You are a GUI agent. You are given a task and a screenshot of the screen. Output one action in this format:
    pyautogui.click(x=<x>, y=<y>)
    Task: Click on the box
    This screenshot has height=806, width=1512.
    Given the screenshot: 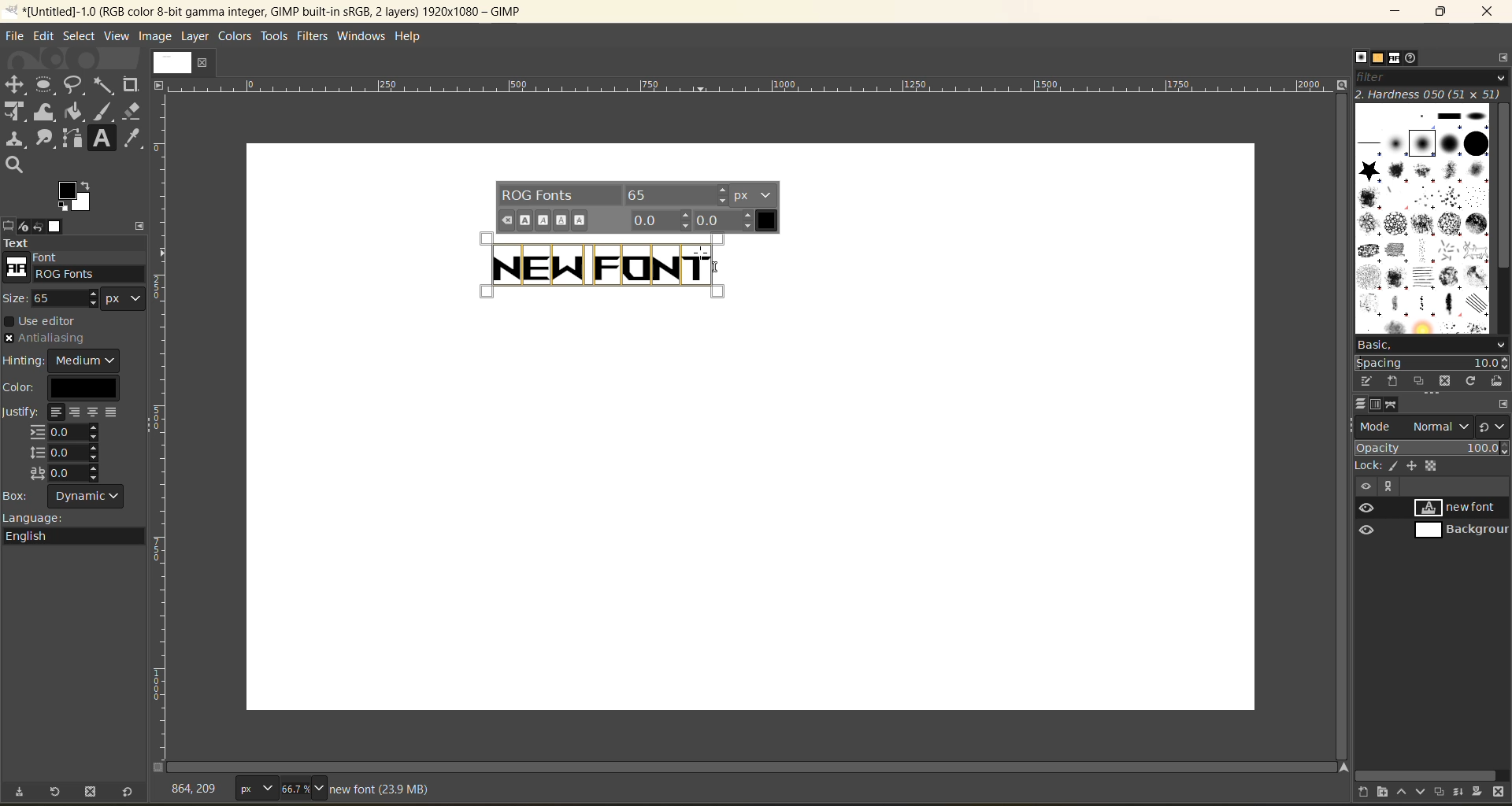 What is the action you would take?
    pyautogui.click(x=74, y=495)
    